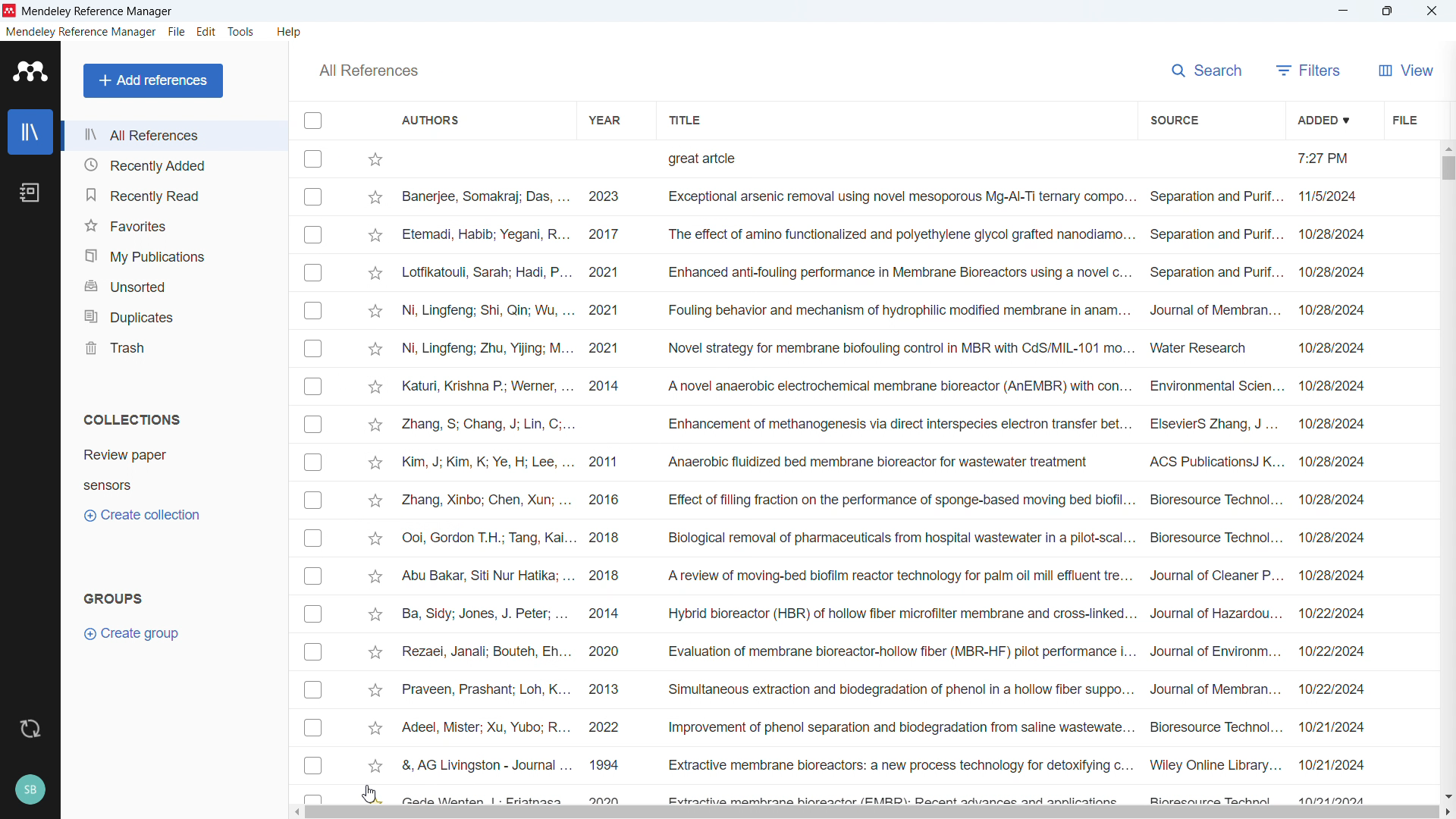 The image size is (1456, 819). What do you see at coordinates (603, 119) in the screenshot?
I see `Sort by year of publication ` at bounding box center [603, 119].